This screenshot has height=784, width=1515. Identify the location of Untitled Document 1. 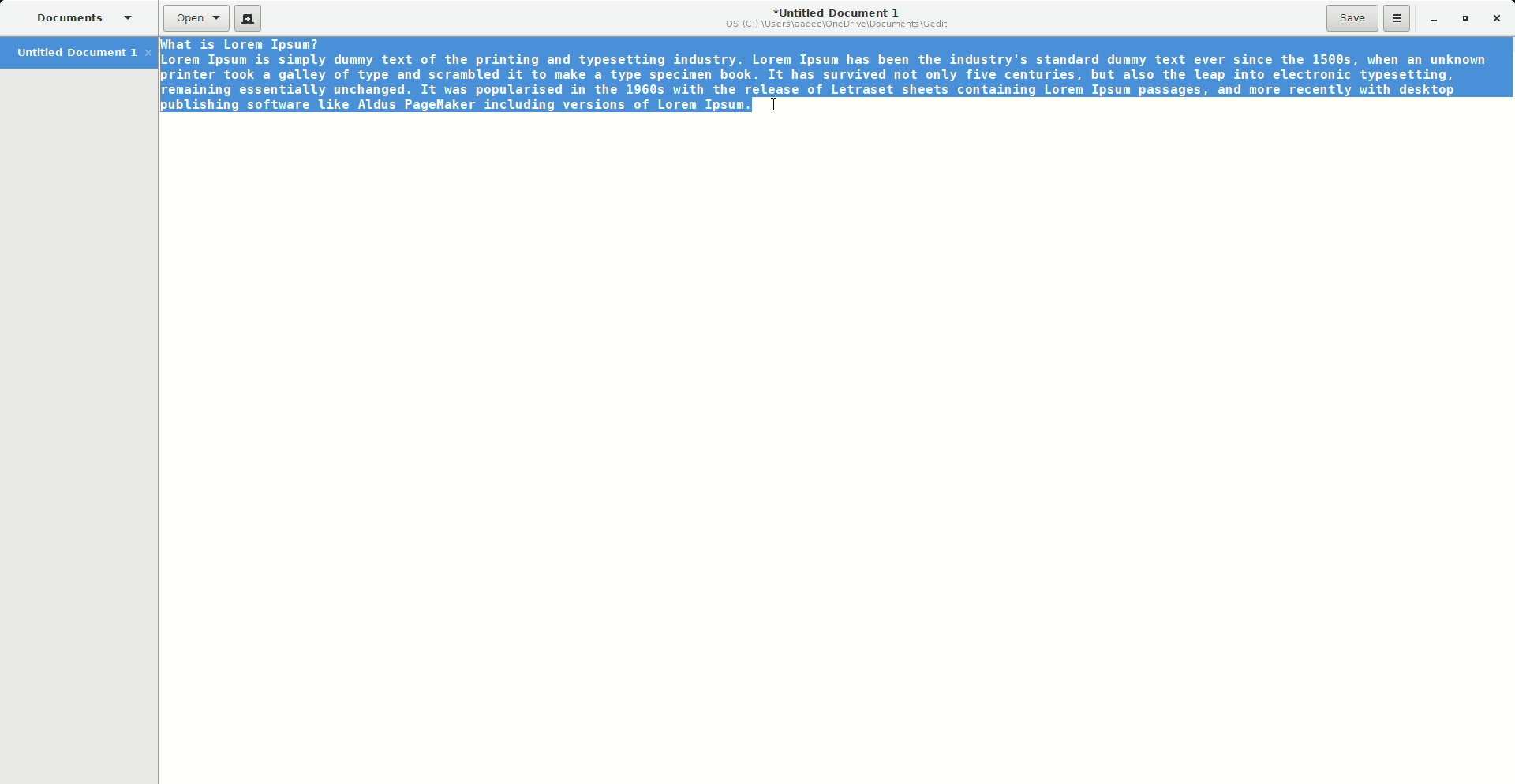
(838, 18).